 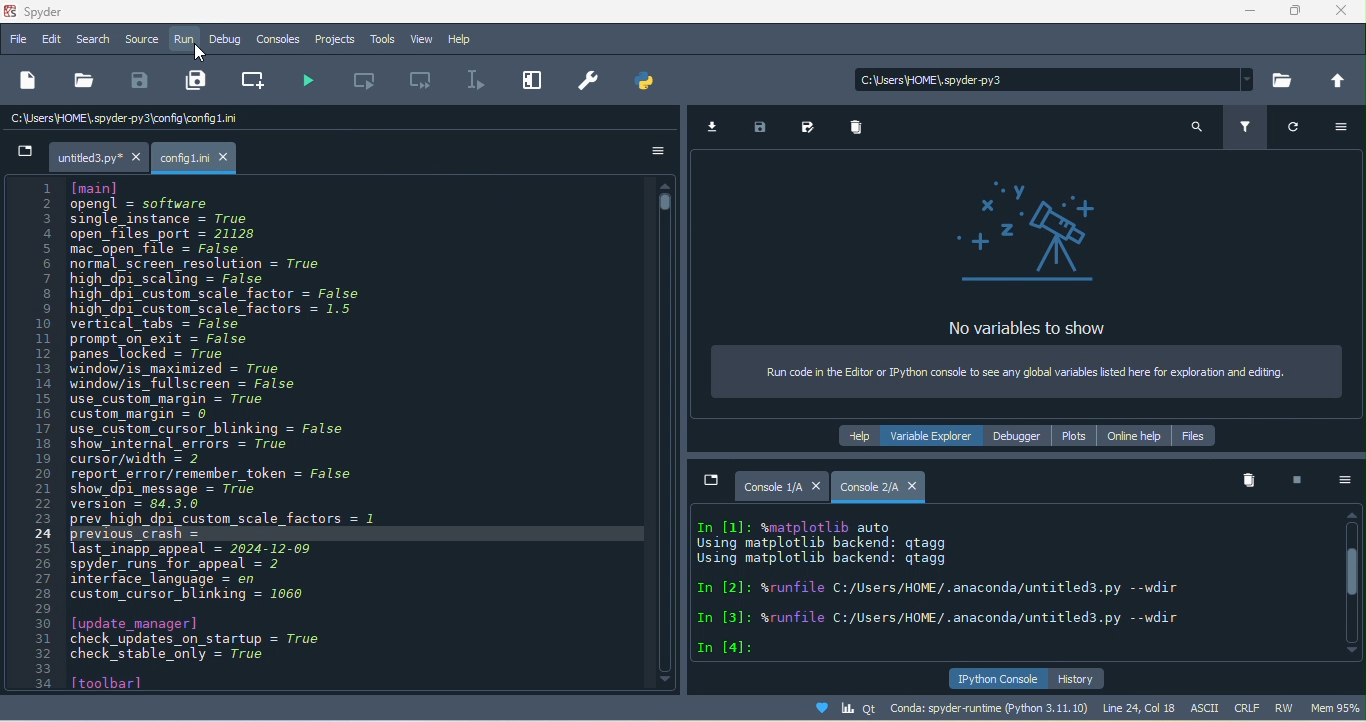 What do you see at coordinates (1210, 708) in the screenshot?
I see `ascii` at bounding box center [1210, 708].